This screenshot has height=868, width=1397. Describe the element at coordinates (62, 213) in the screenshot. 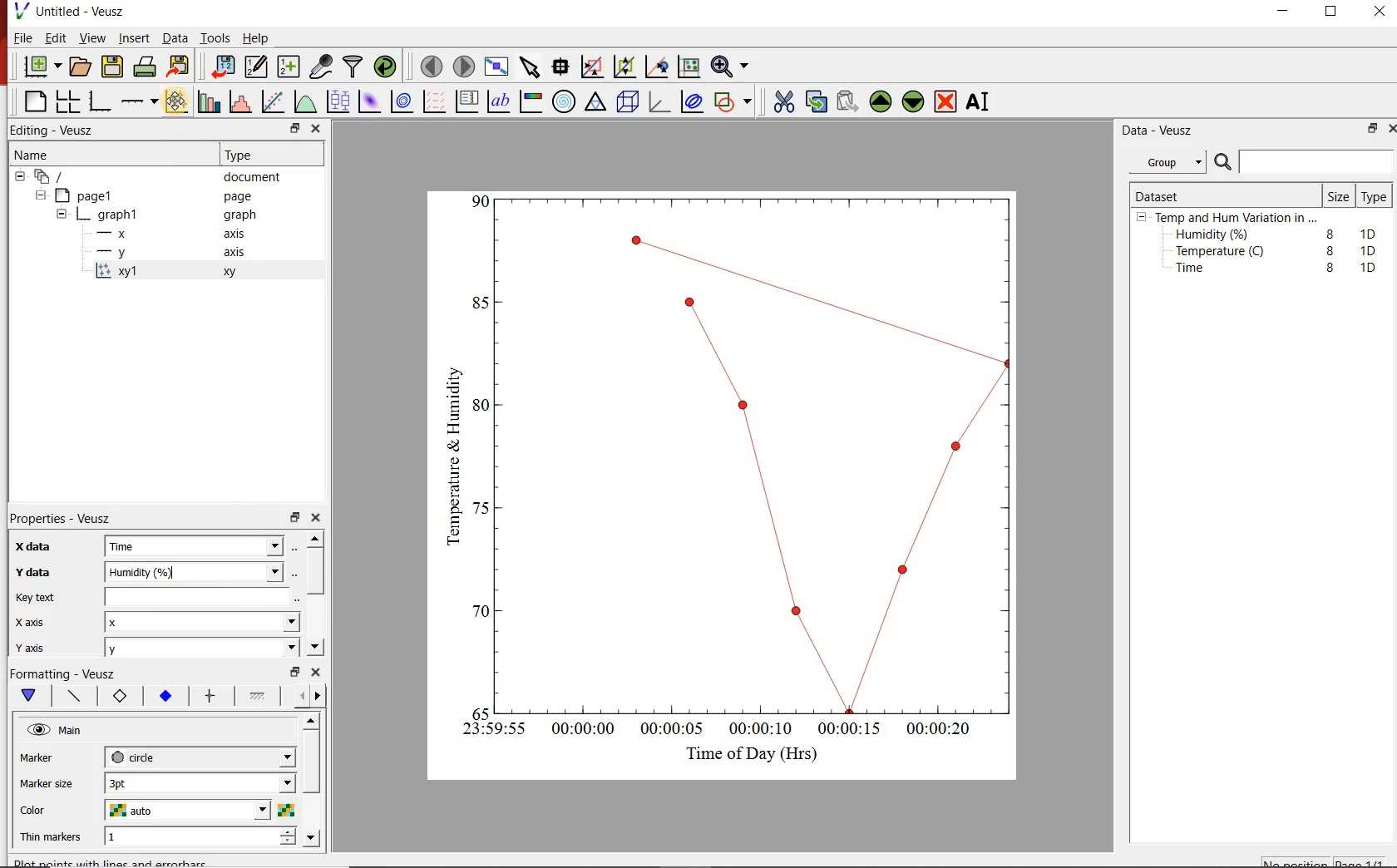

I see `hide sub menu` at that location.